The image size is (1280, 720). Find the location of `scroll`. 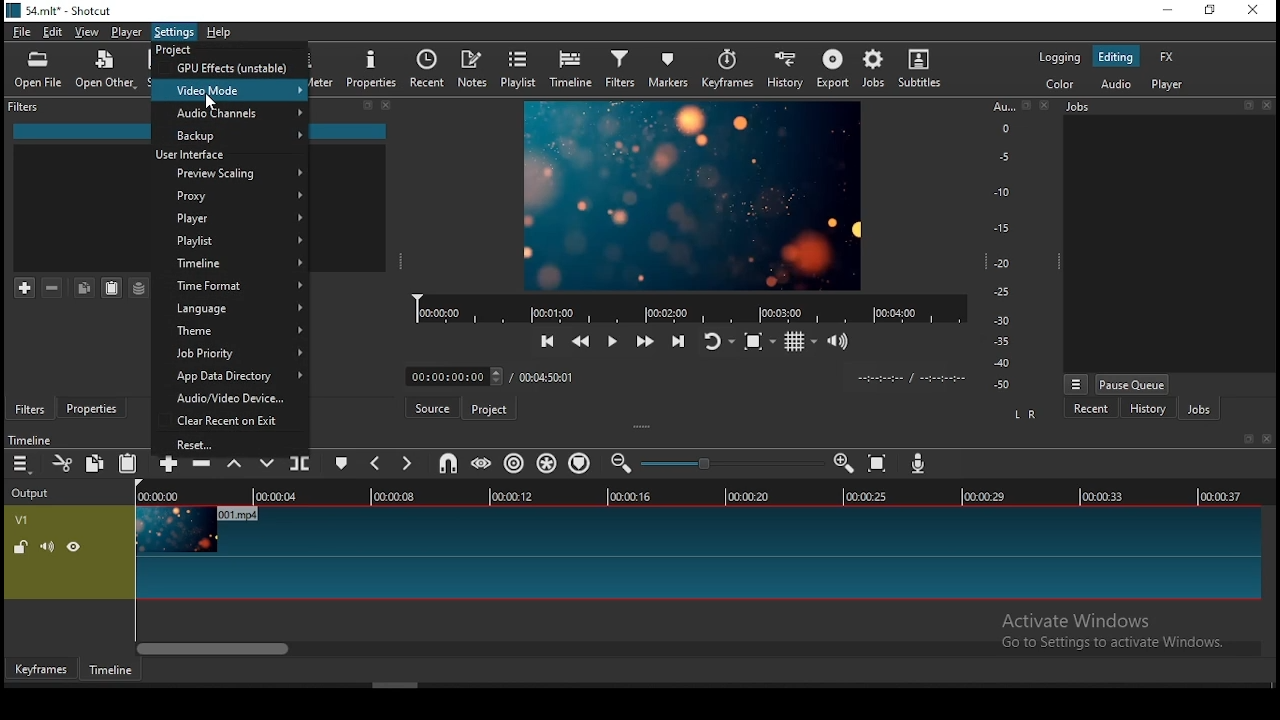

scroll is located at coordinates (395, 684).